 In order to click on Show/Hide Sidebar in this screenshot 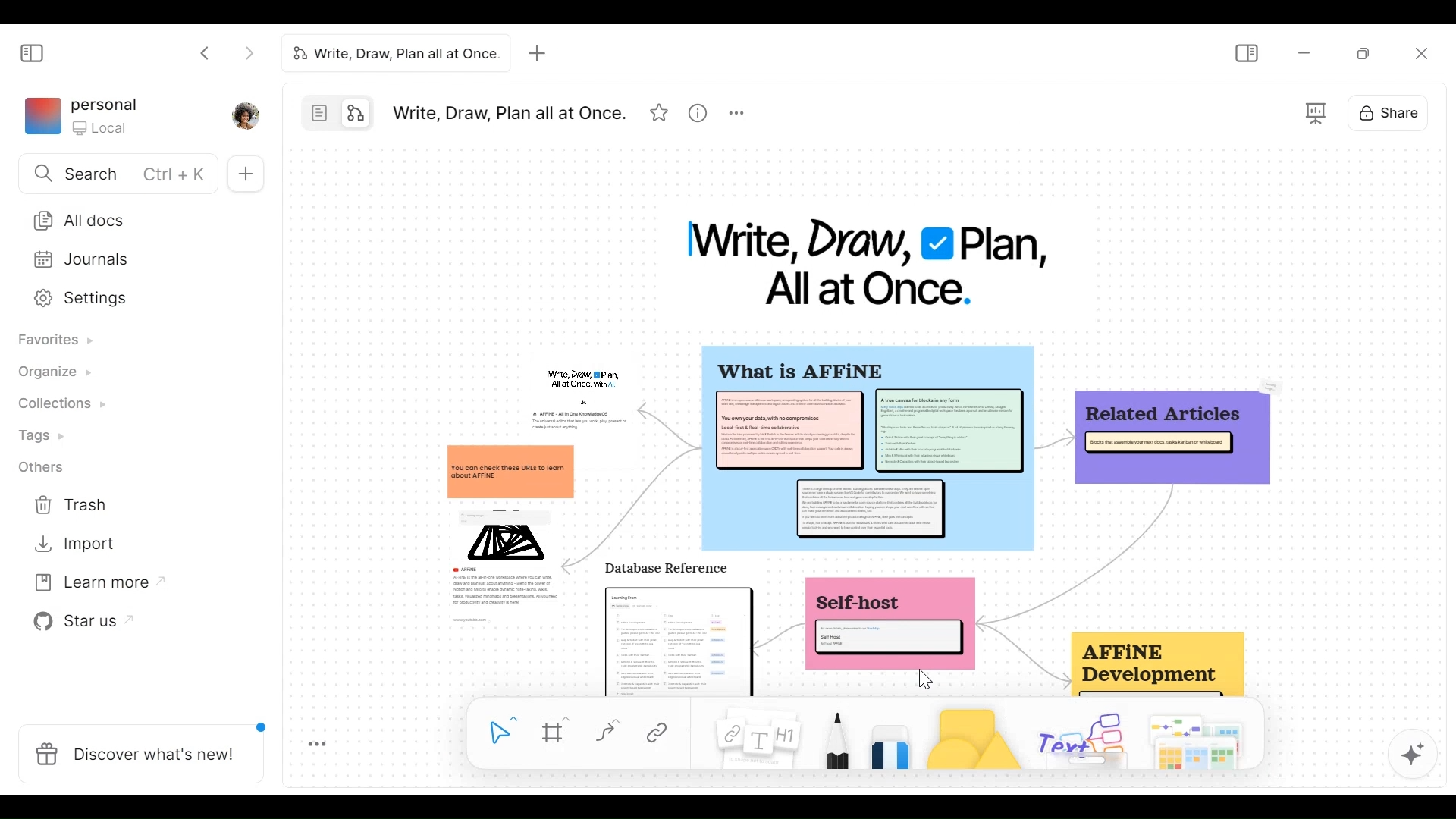, I will do `click(33, 50)`.